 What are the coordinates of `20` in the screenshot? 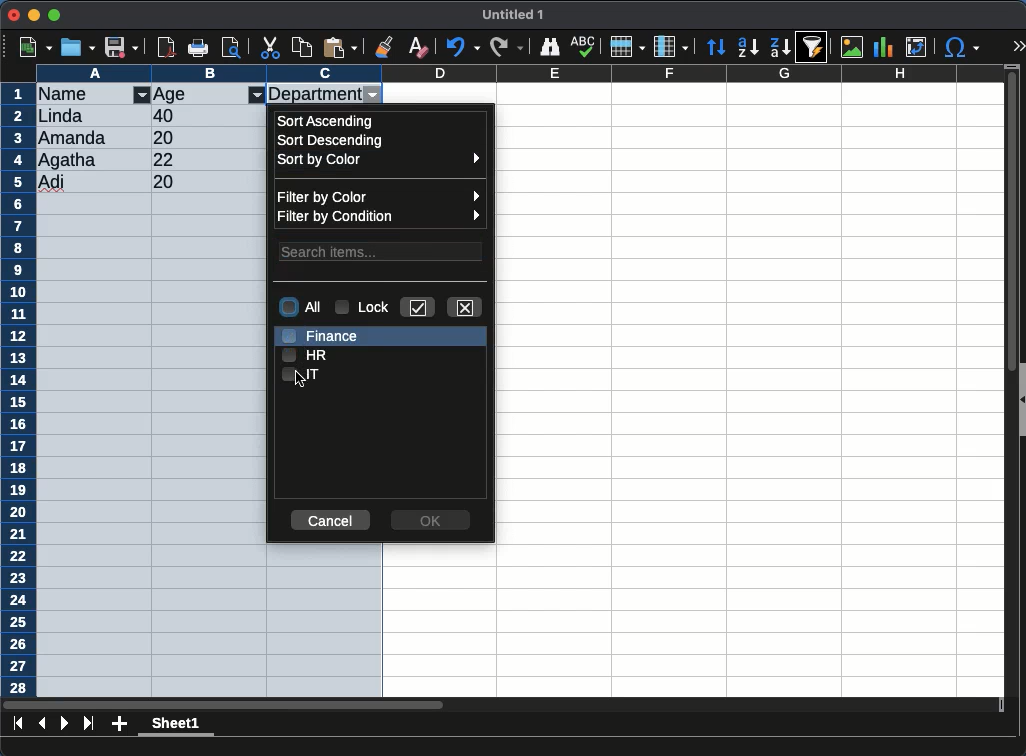 It's located at (167, 137).